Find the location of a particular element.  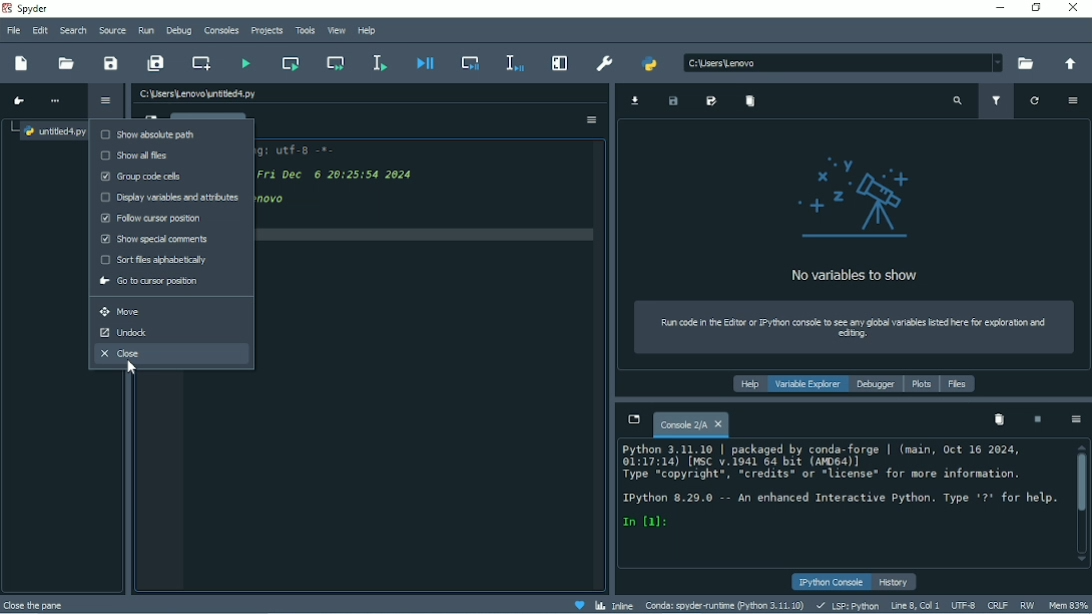

IPython console is located at coordinates (830, 582).